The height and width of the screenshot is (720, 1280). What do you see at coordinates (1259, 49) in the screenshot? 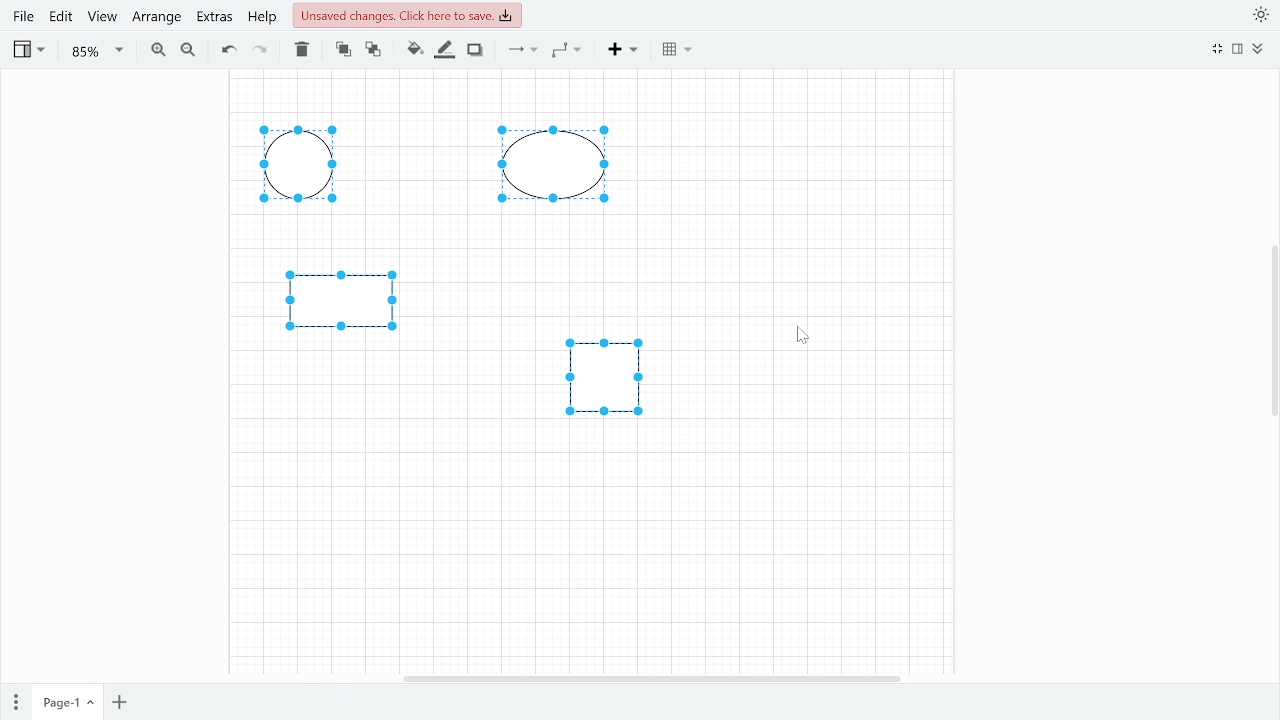
I see `Expand/Collapase` at bounding box center [1259, 49].